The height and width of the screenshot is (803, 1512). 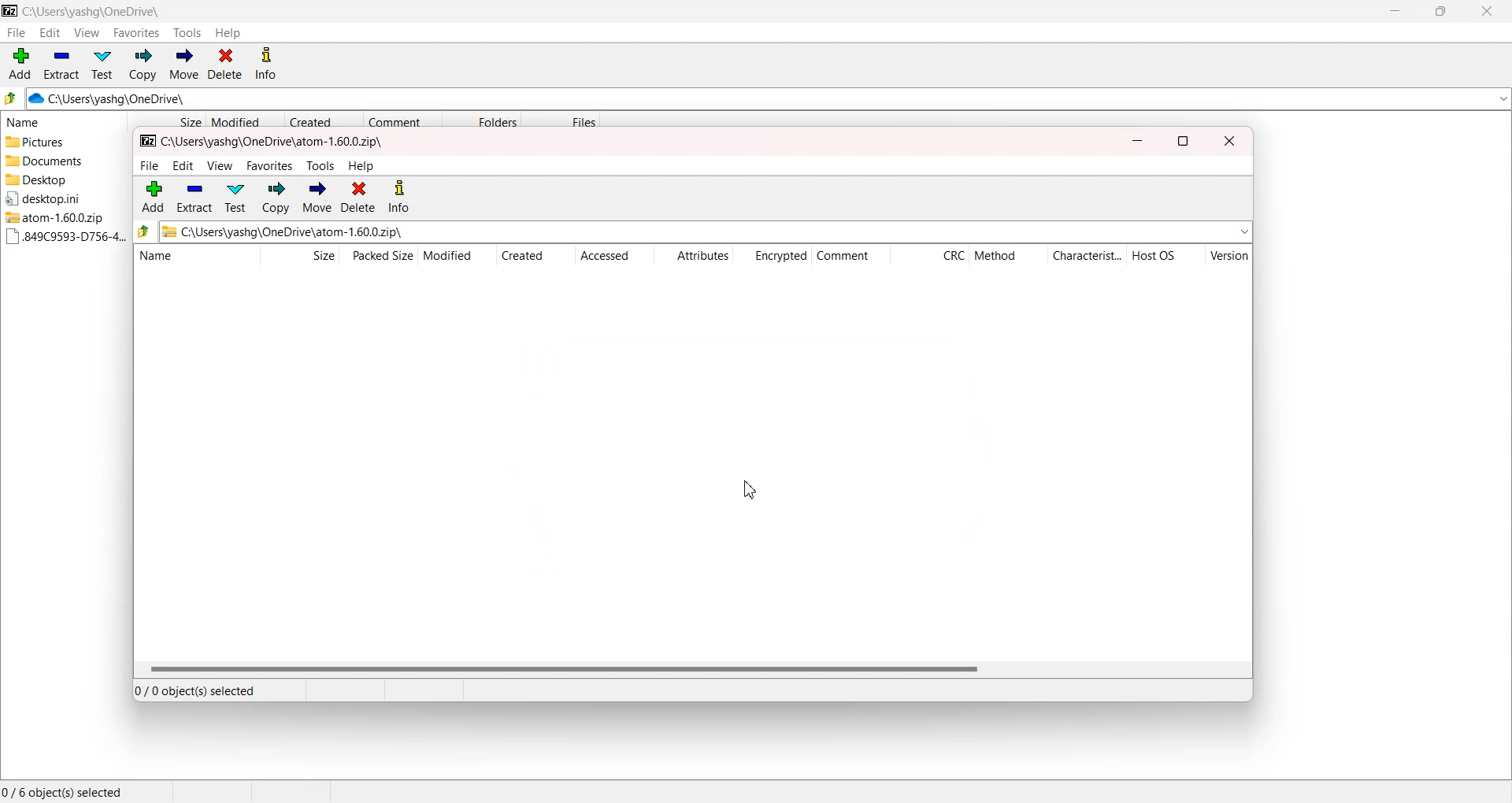 I want to click on help, so click(x=362, y=166).